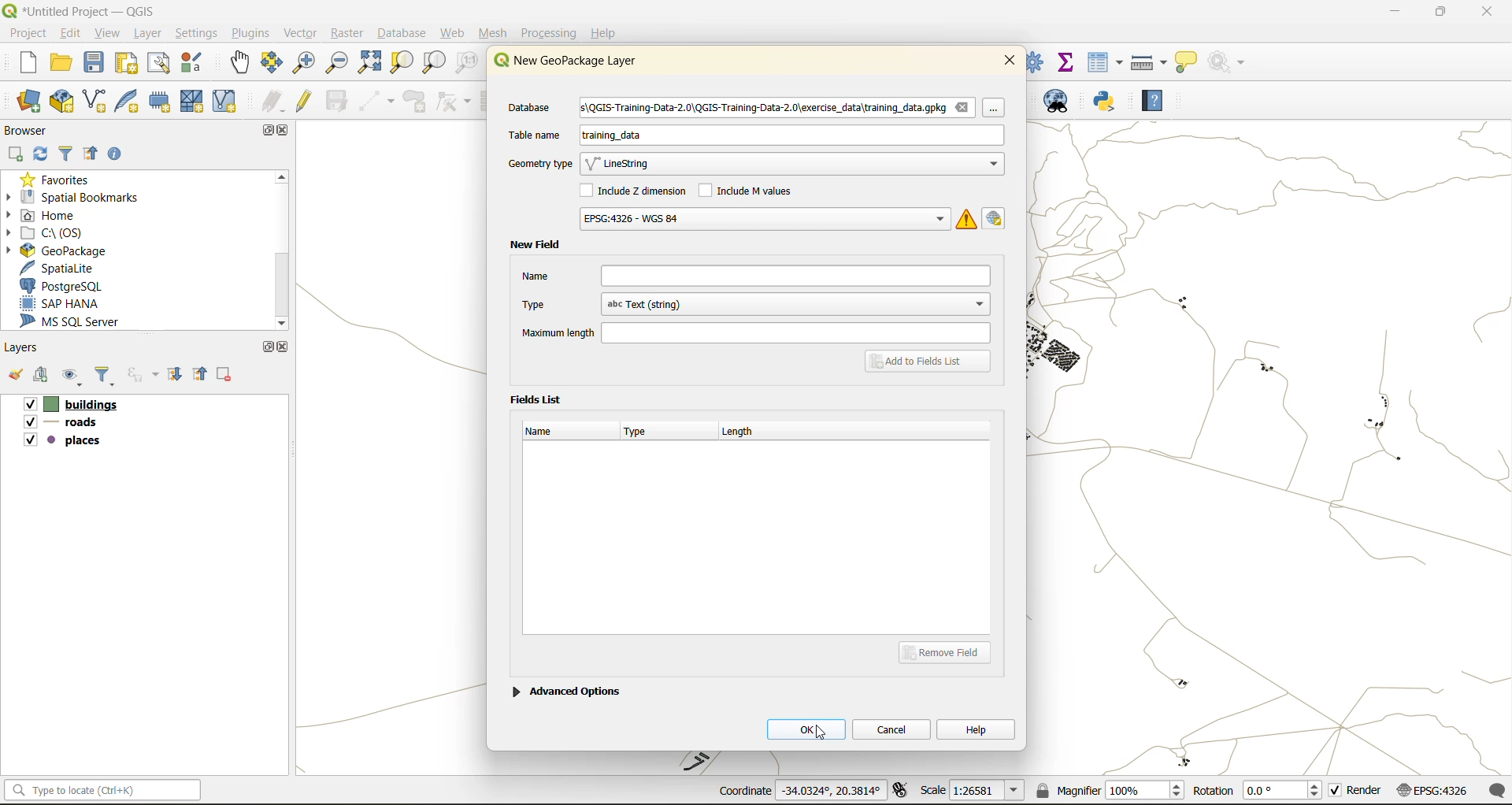 This screenshot has width=1512, height=805. Describe the element at coordinates (145, 374) in the screenshot. I see `filter by expression` at that location.